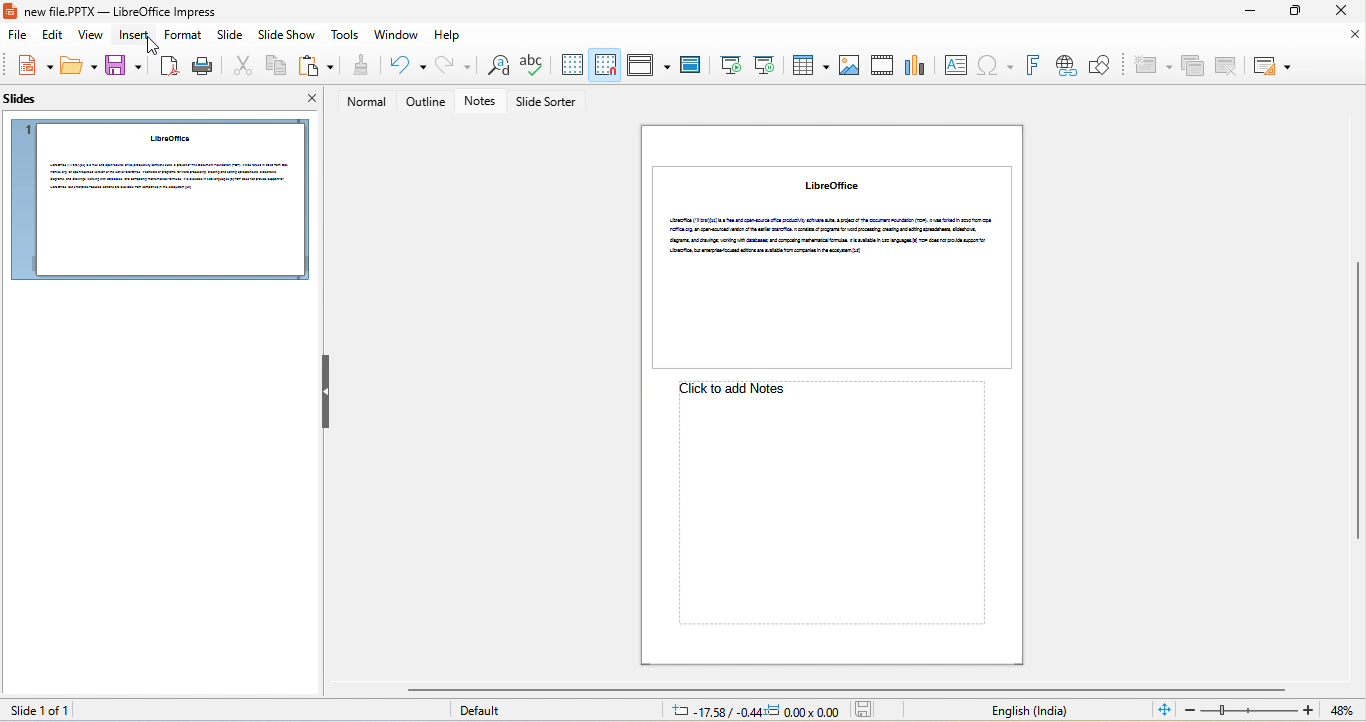  What do you see at coordinates (155, 45) in the screenshot?
I see `cursor movement` at bounding box center [155, 45].